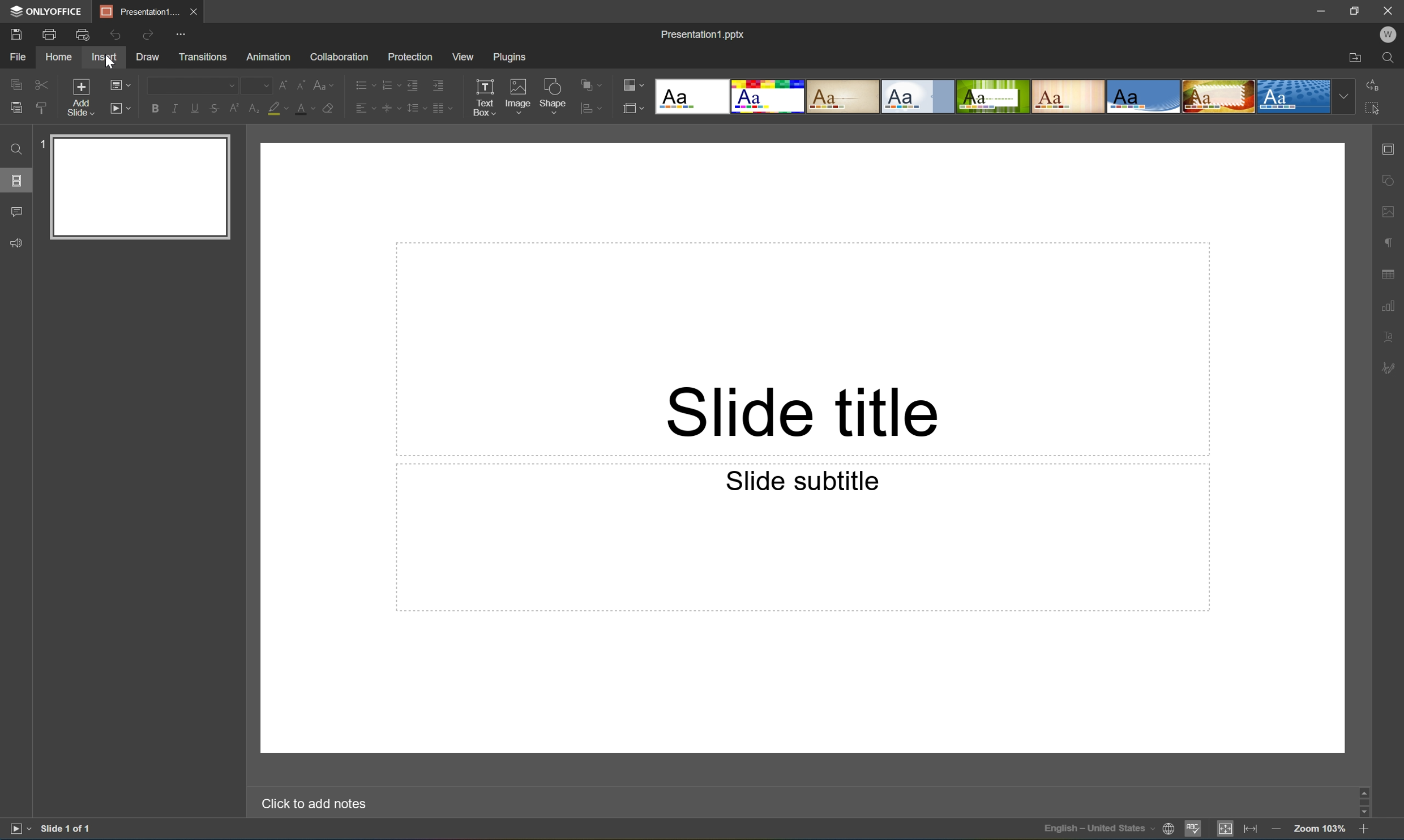 This screenshot has height=840, width=1404. What do you see at coordinates (233, 108) in the screenshot?
I see `Superscript` at bounding box center [233, 108].